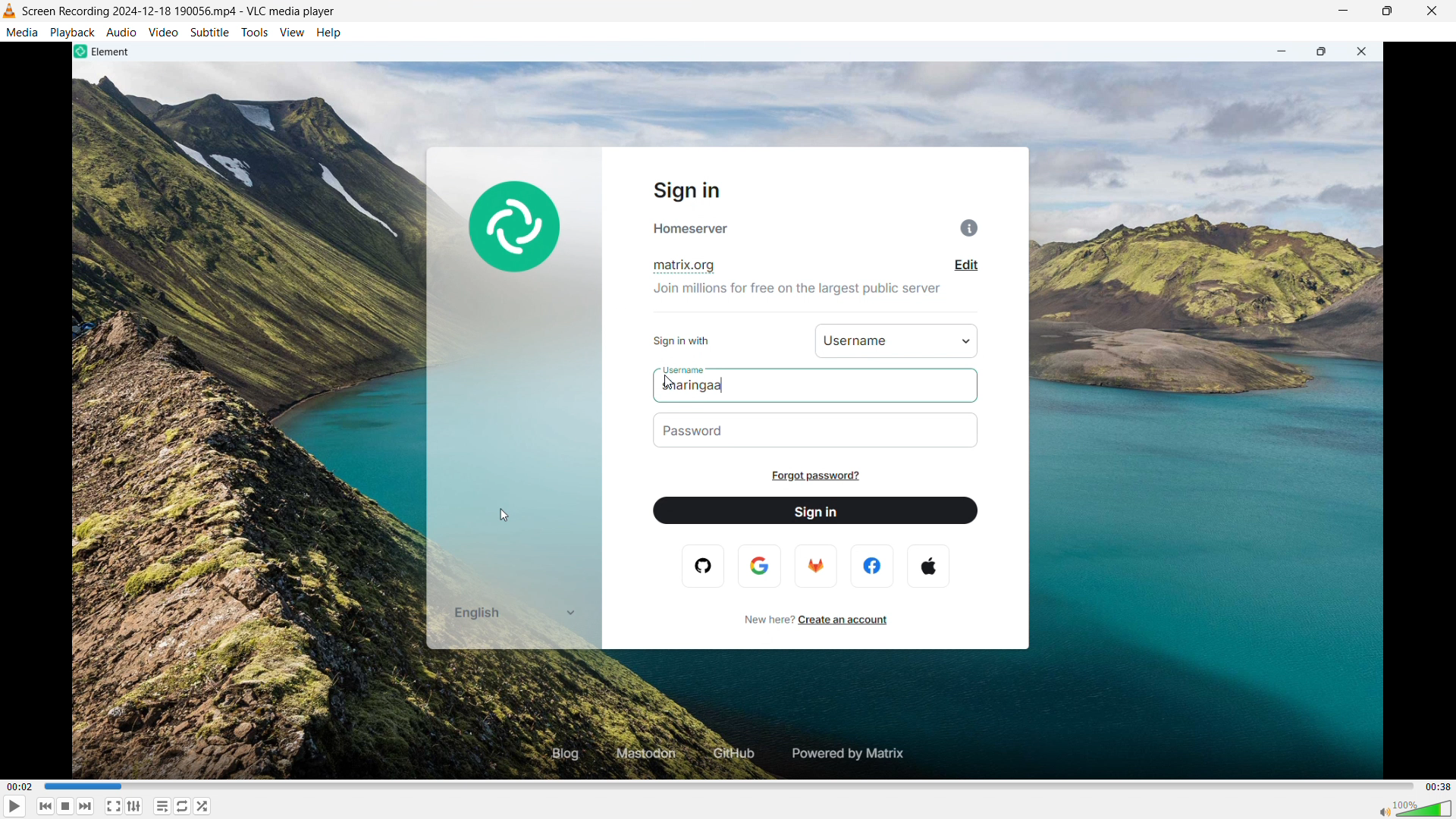  What do you see at coordinates (118, 52) in the screenshot?
I see `element` at bounding box center [118, 52].